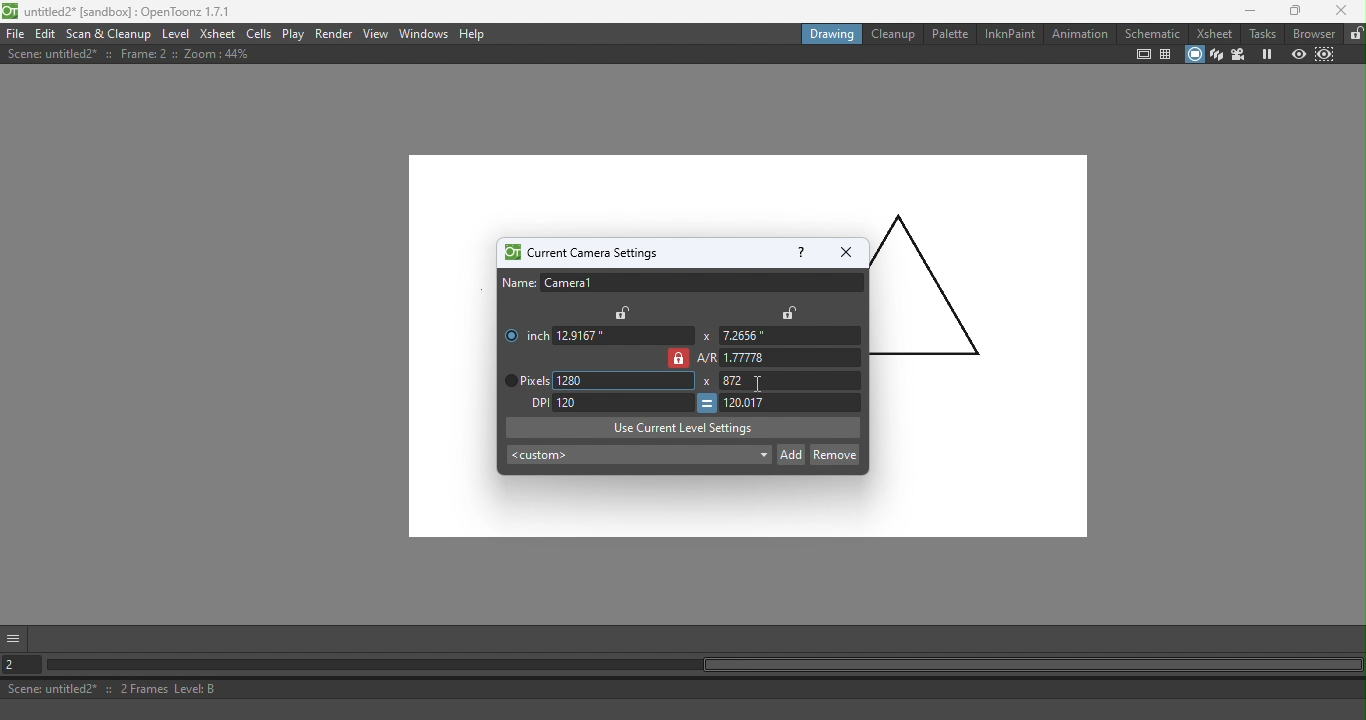 This screenshot has height=720, width=1366. What do you see at coordinates (23, 663) in the screenshot?
I see `Set the current frame` at bounding box center [23, 663].